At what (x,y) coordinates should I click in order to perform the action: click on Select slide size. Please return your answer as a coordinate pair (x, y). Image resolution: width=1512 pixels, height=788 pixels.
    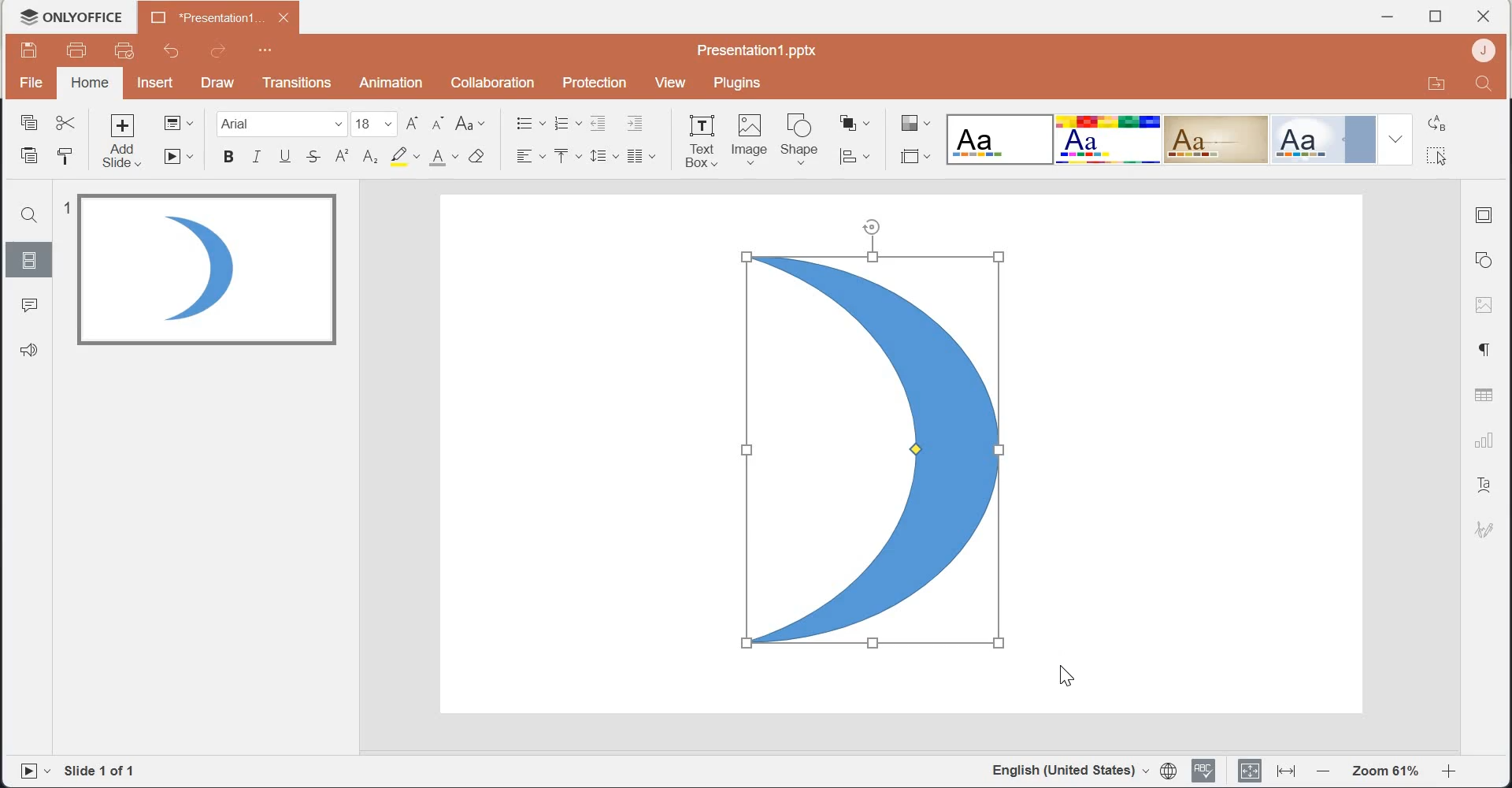
    Looking at the image, I should click on (914, 158).